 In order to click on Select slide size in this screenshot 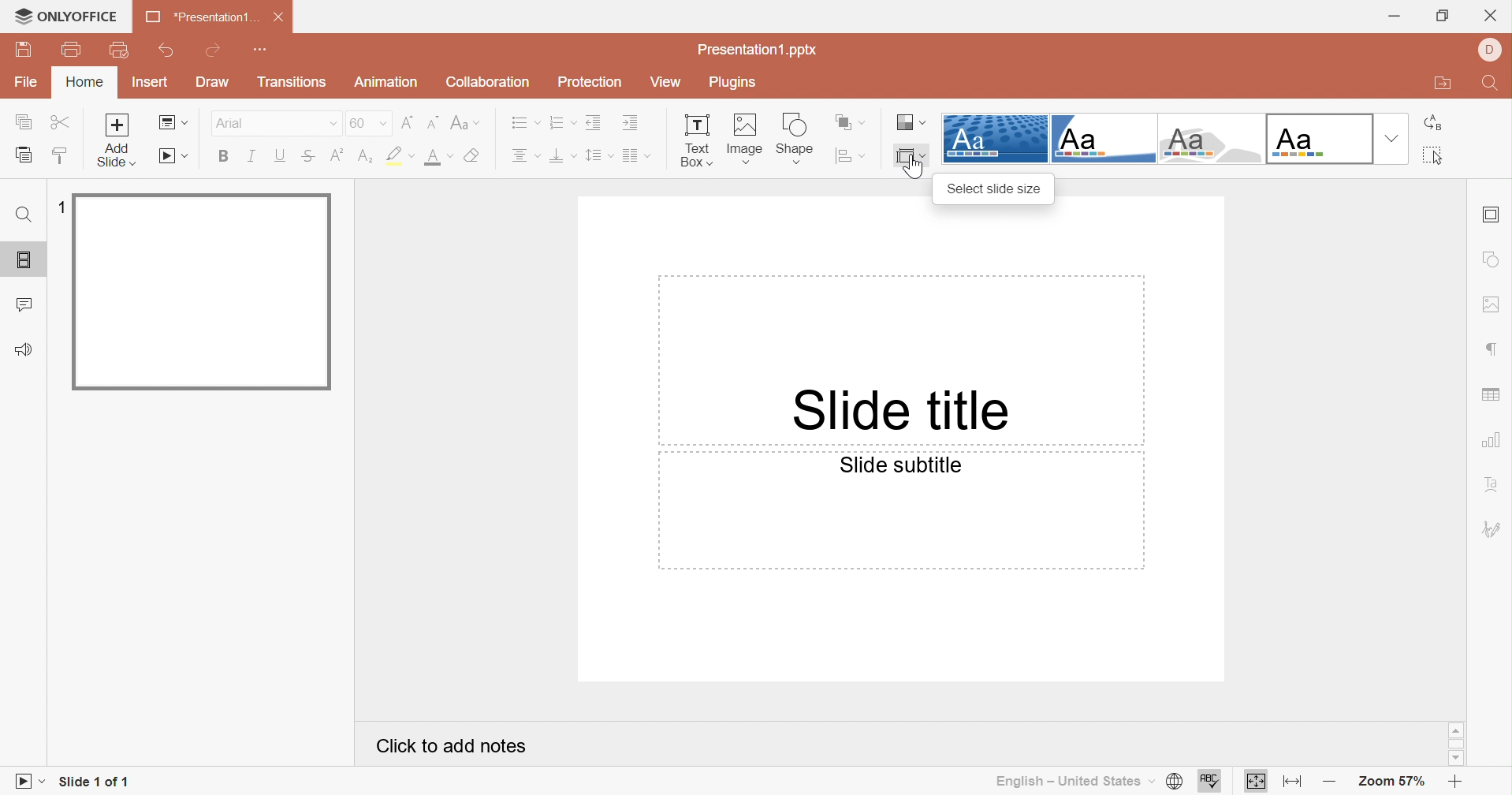, I will do `click(993, 190)`.